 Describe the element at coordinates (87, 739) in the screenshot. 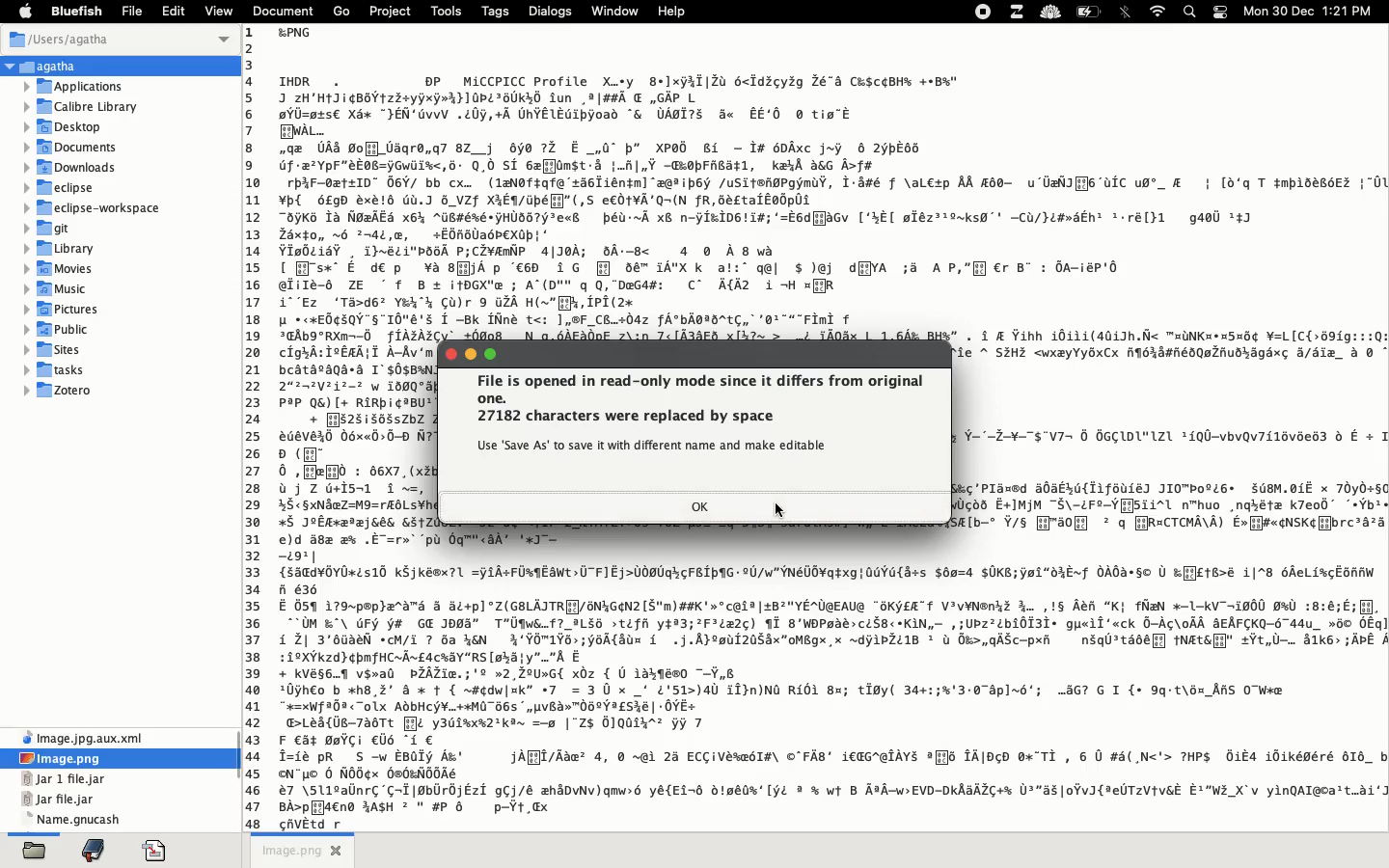

I see `file name and extension` at that location.